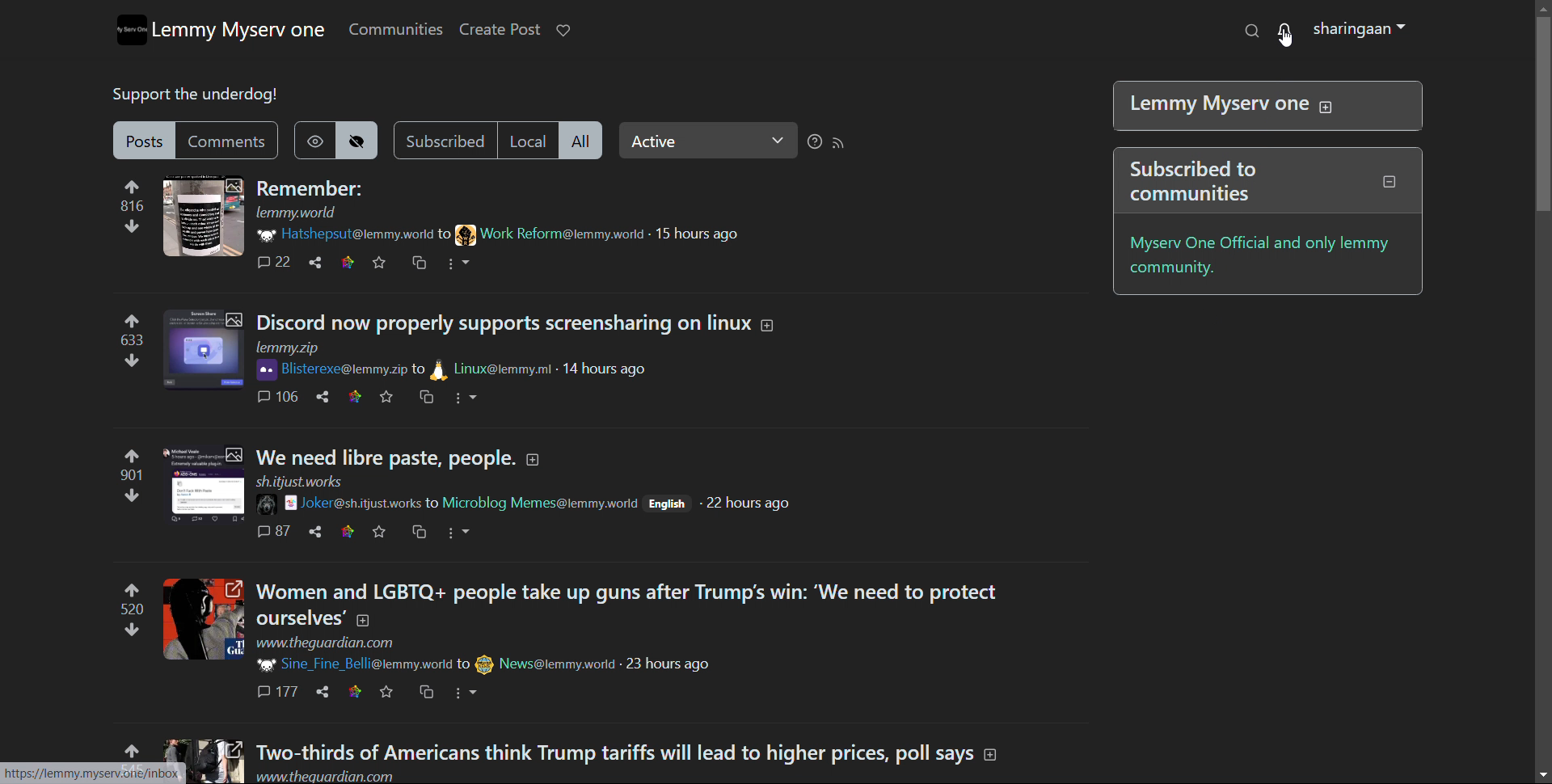 The height and width of the screenshot is (784, 1552). Describe the element at coordinates (550, 234) in the screenshot. I see `community` at that location.